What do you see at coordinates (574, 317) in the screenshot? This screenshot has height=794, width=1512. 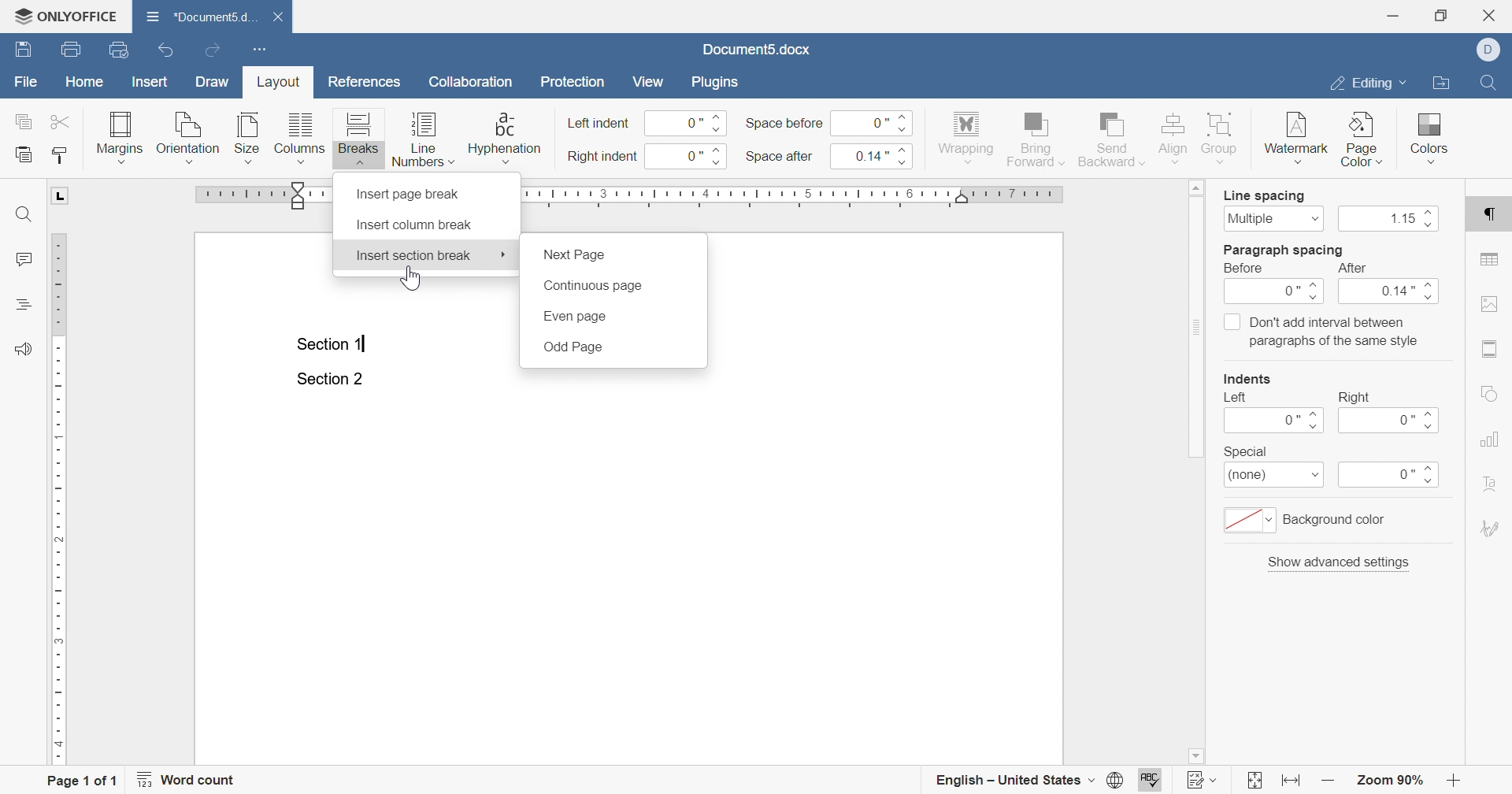 I see `even page` at bounding box center [574, 317].